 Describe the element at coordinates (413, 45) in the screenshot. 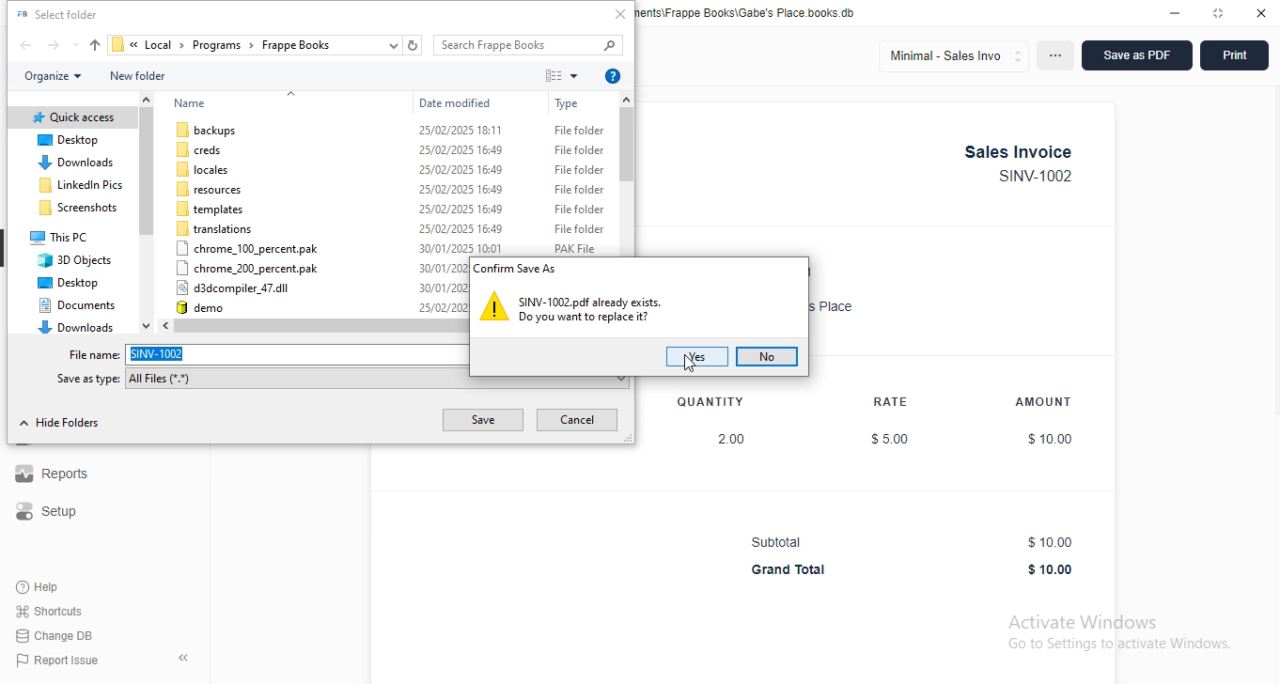

I see `refresh "frappe books"` at that location.